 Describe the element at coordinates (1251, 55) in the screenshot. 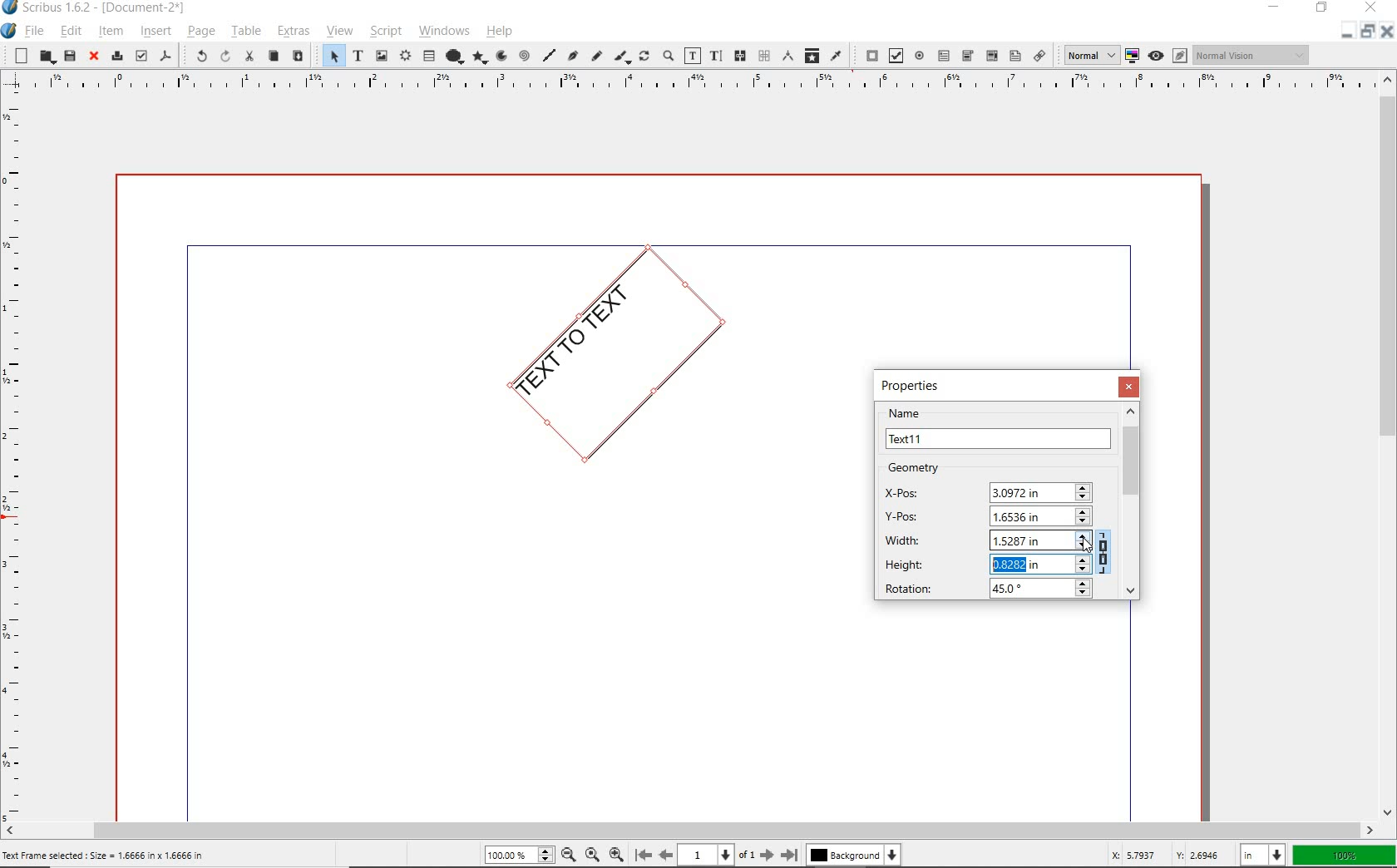

I see `visual appearance of display` at that location.